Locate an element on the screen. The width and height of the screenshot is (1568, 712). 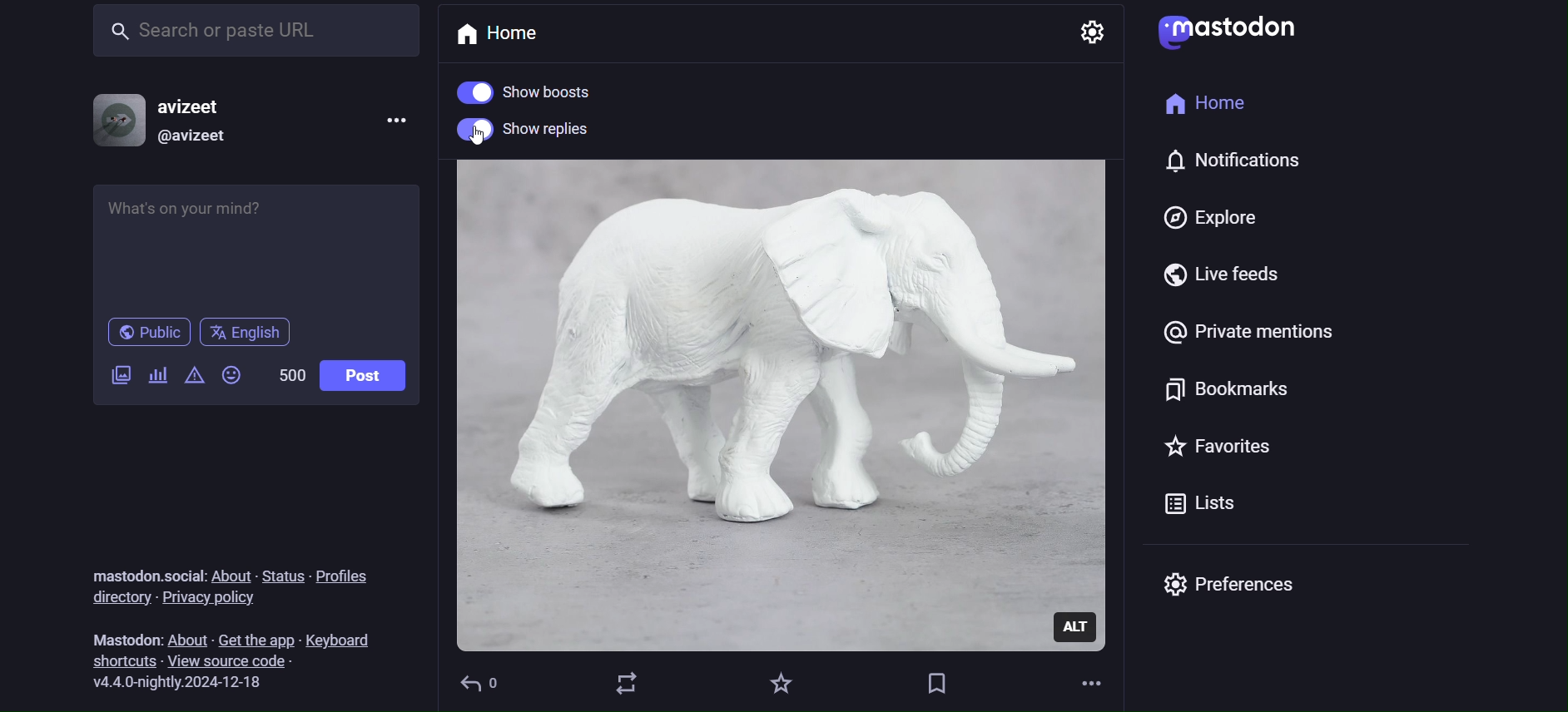
display picture is located at coordinates (120, 120).